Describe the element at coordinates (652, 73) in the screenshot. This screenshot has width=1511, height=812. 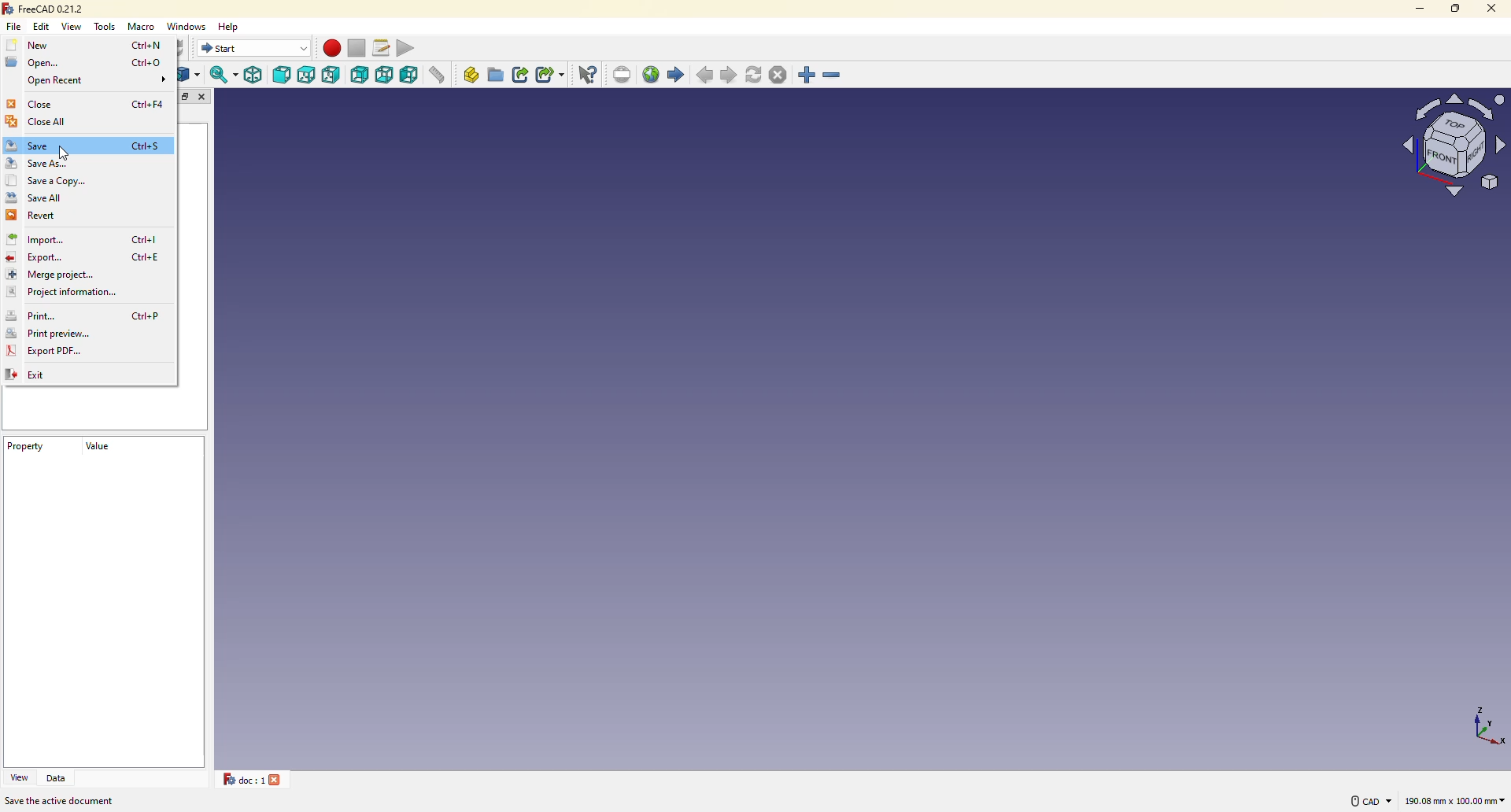
I see `open website` at that location.